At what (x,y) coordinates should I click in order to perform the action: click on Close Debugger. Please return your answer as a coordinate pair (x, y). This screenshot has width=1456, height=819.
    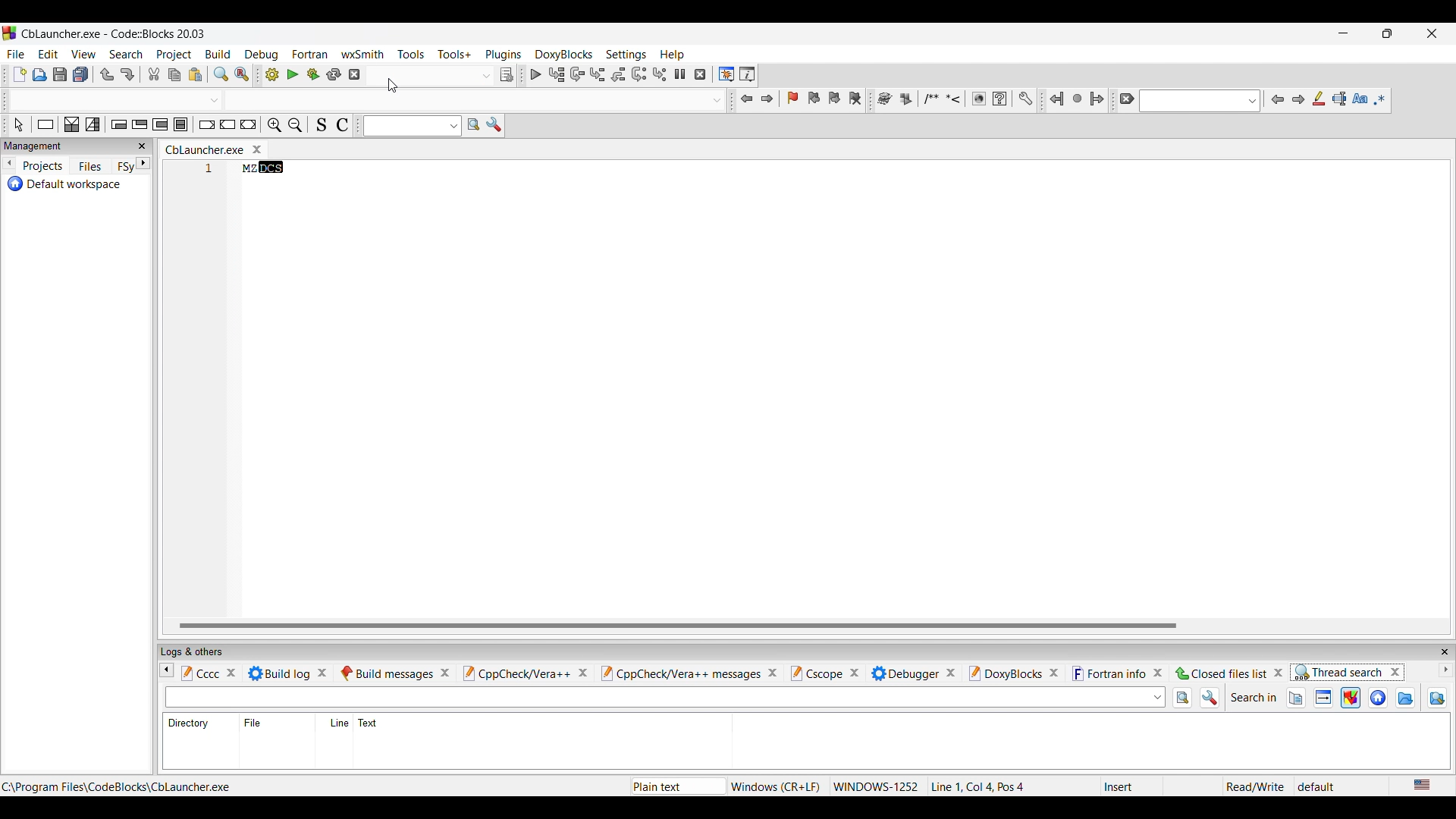
    Looking at the image, I should click on (950, 673).